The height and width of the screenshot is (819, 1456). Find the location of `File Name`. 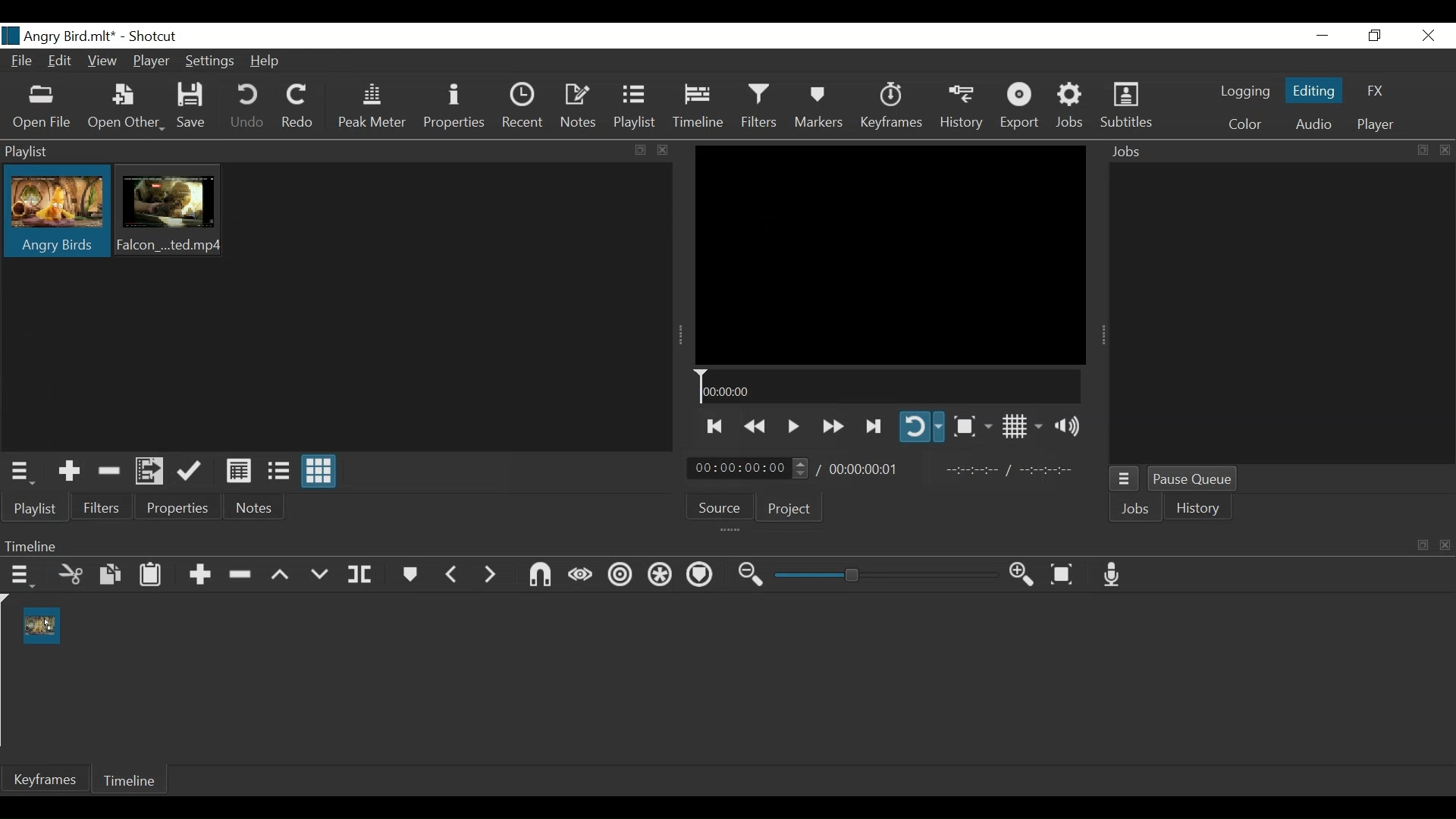

File Name is located at coordinates (60, 36).